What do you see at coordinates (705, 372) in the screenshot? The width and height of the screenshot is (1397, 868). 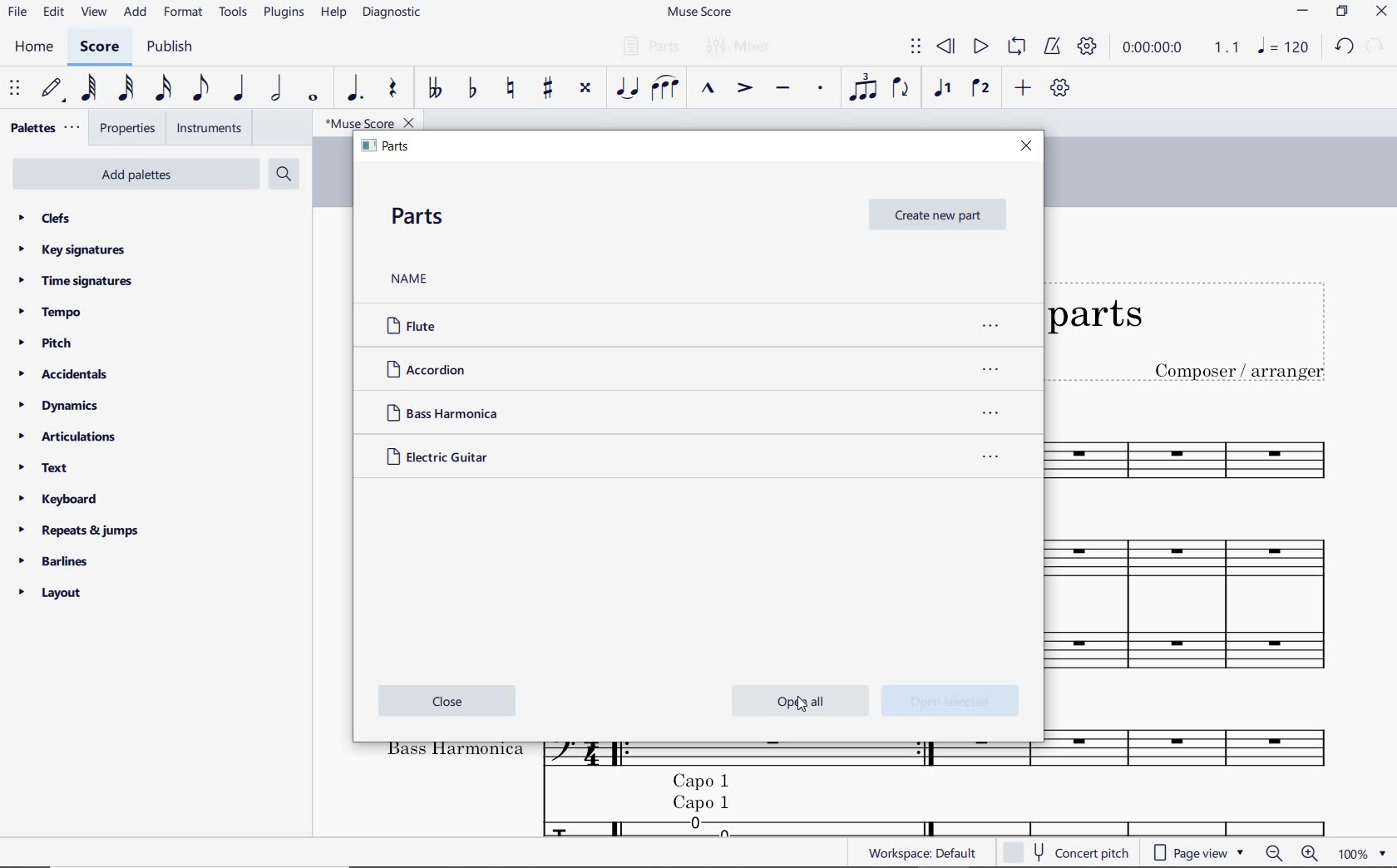 I see `ACCORDION` at bounding box center [705, 372].